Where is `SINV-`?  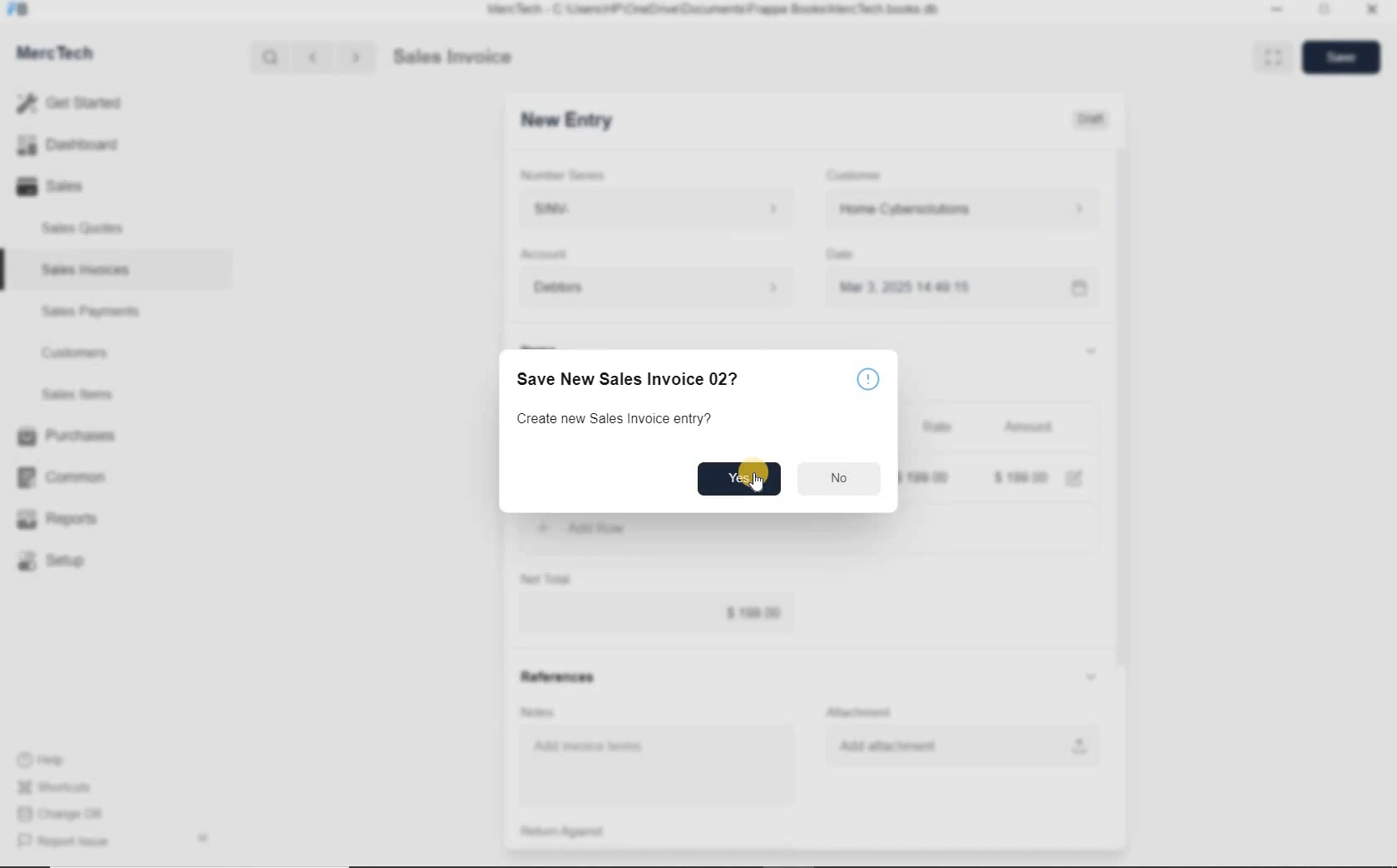
SINV- is located at coordinates (655, 210).